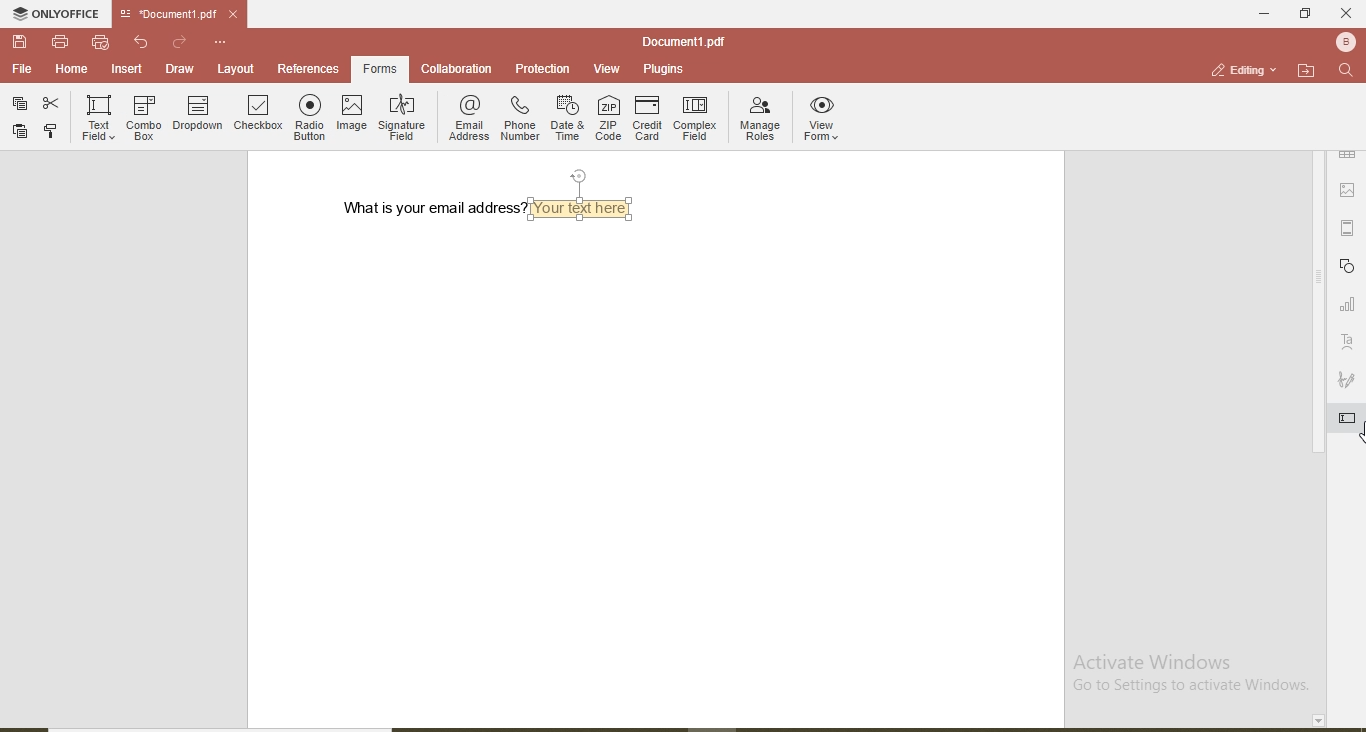 This screenshot has height=732, width=1366. Describe the element at coordinates (1344, 41) in the screenshot. I see `user` at that location.